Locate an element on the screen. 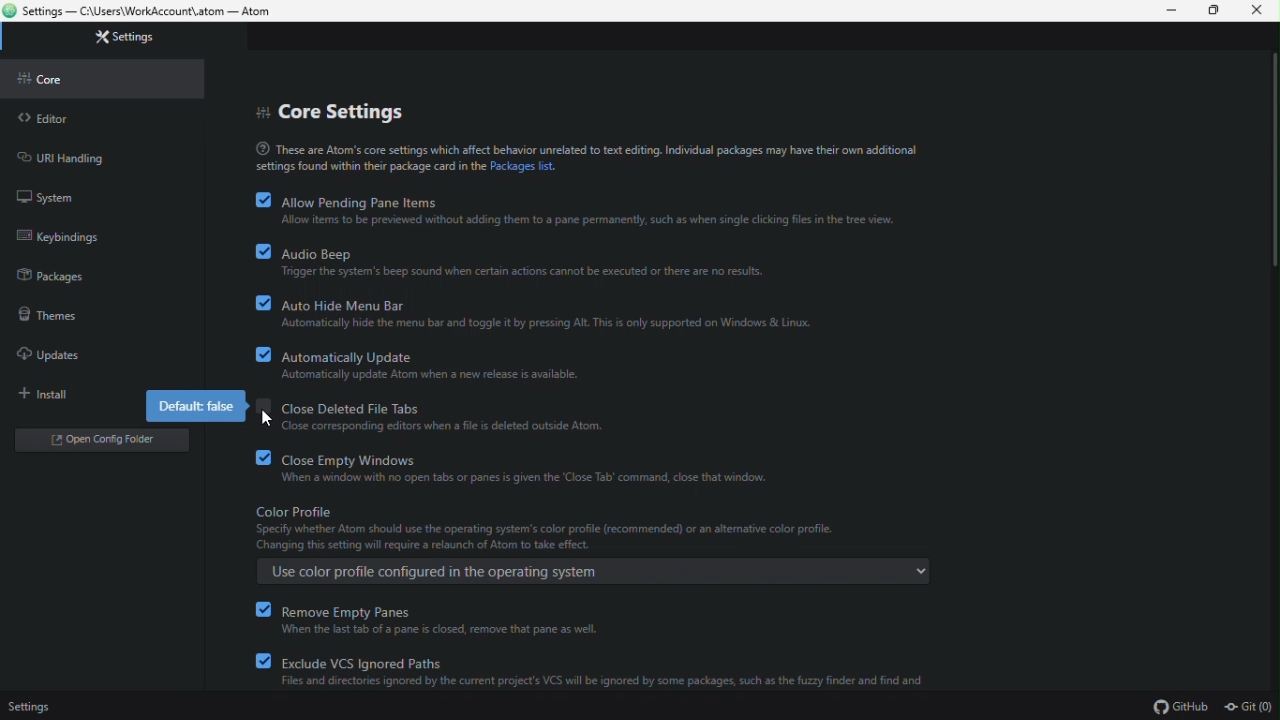  text is located at coordinates (587, 155).